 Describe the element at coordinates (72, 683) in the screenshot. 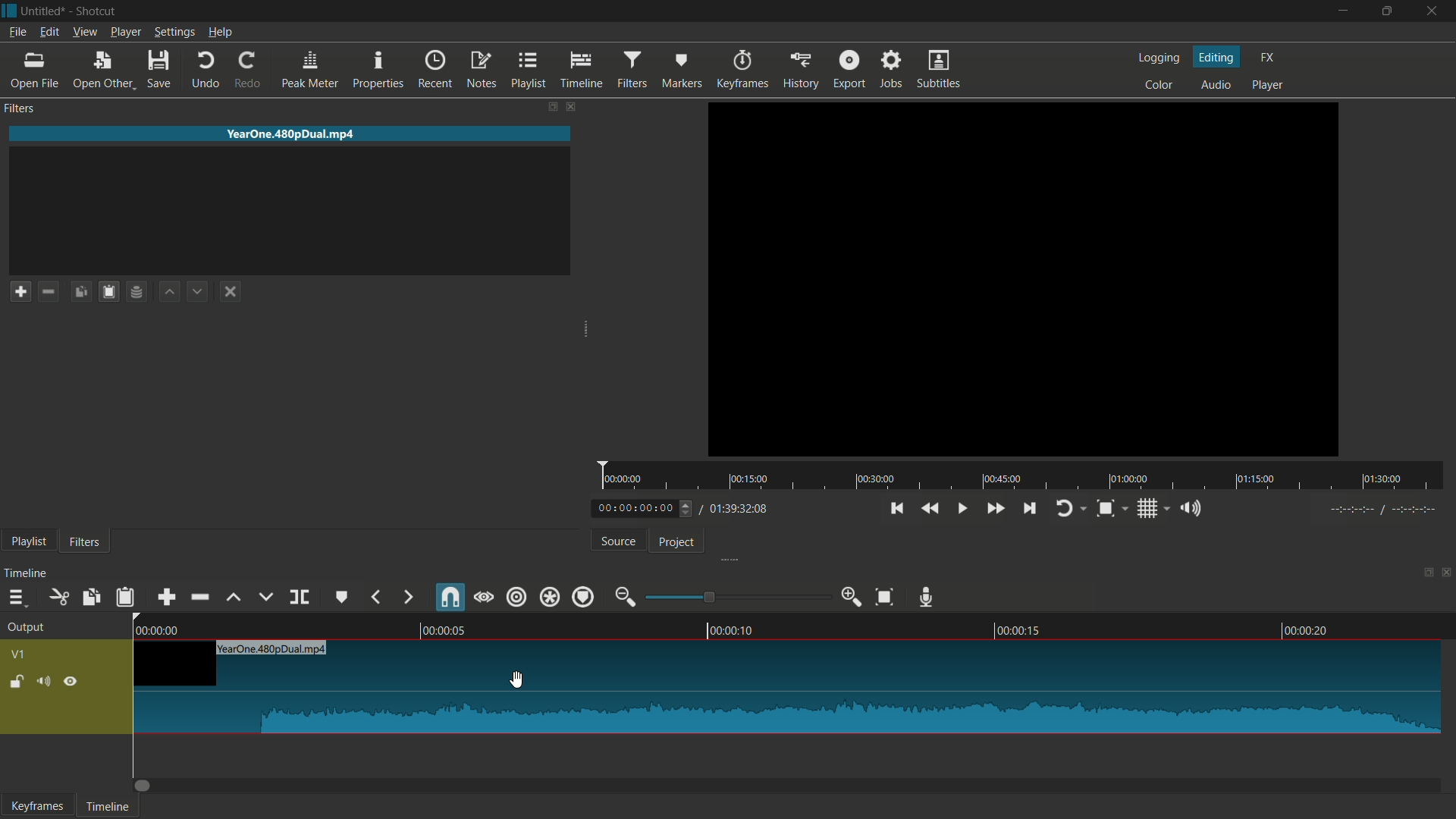

I see `hide` at that location.